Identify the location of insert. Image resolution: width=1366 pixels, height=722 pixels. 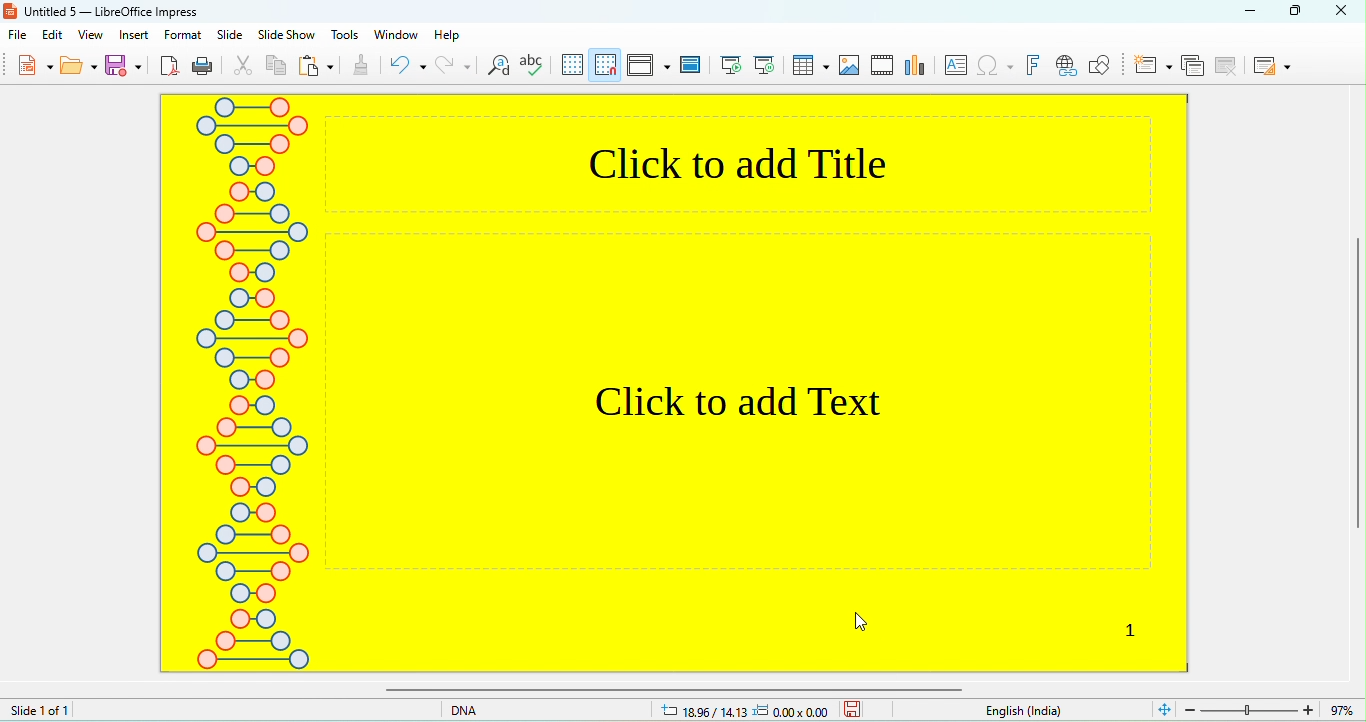
(135, 35).